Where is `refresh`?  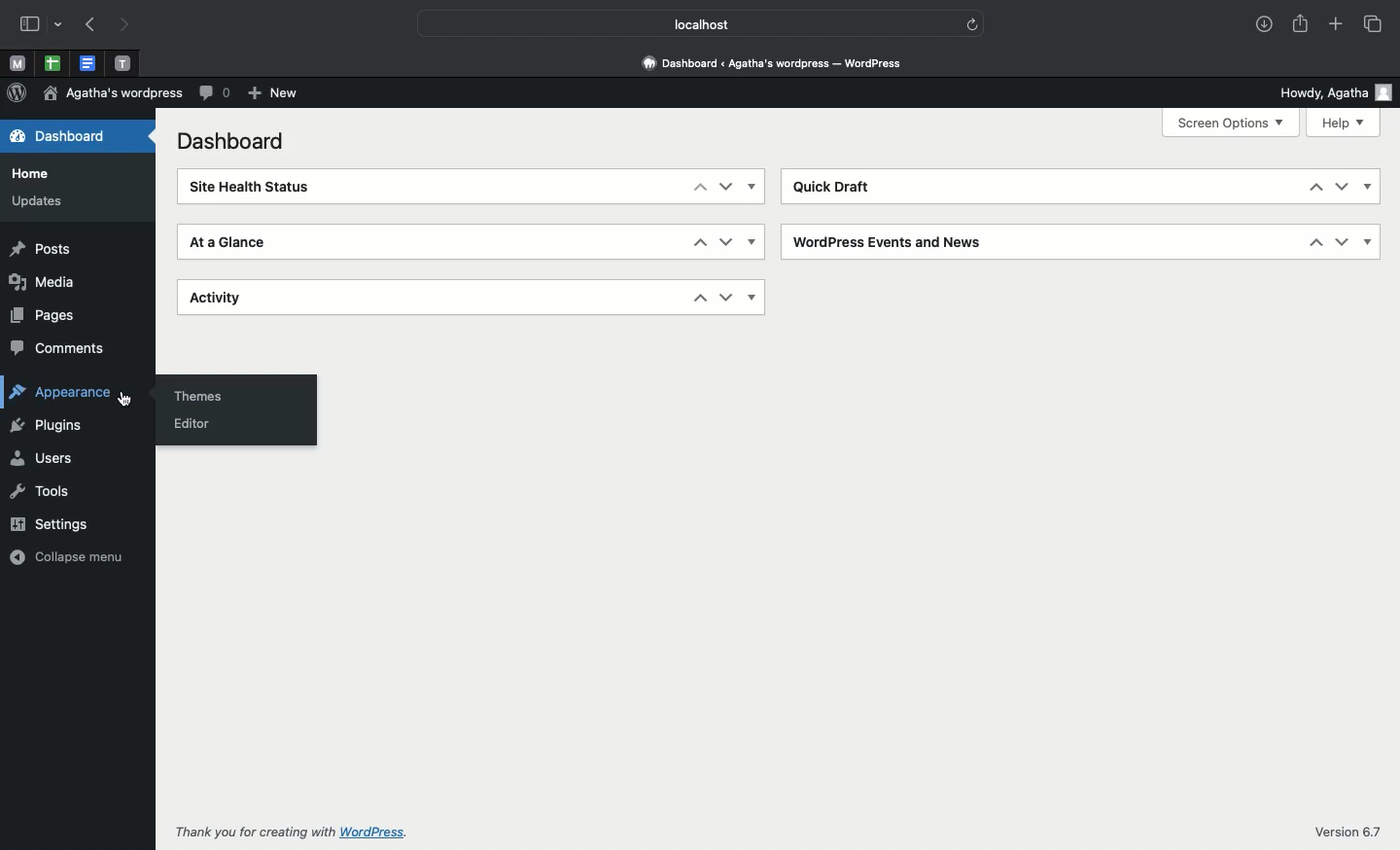
refresh is located at coordinates (972, 22).